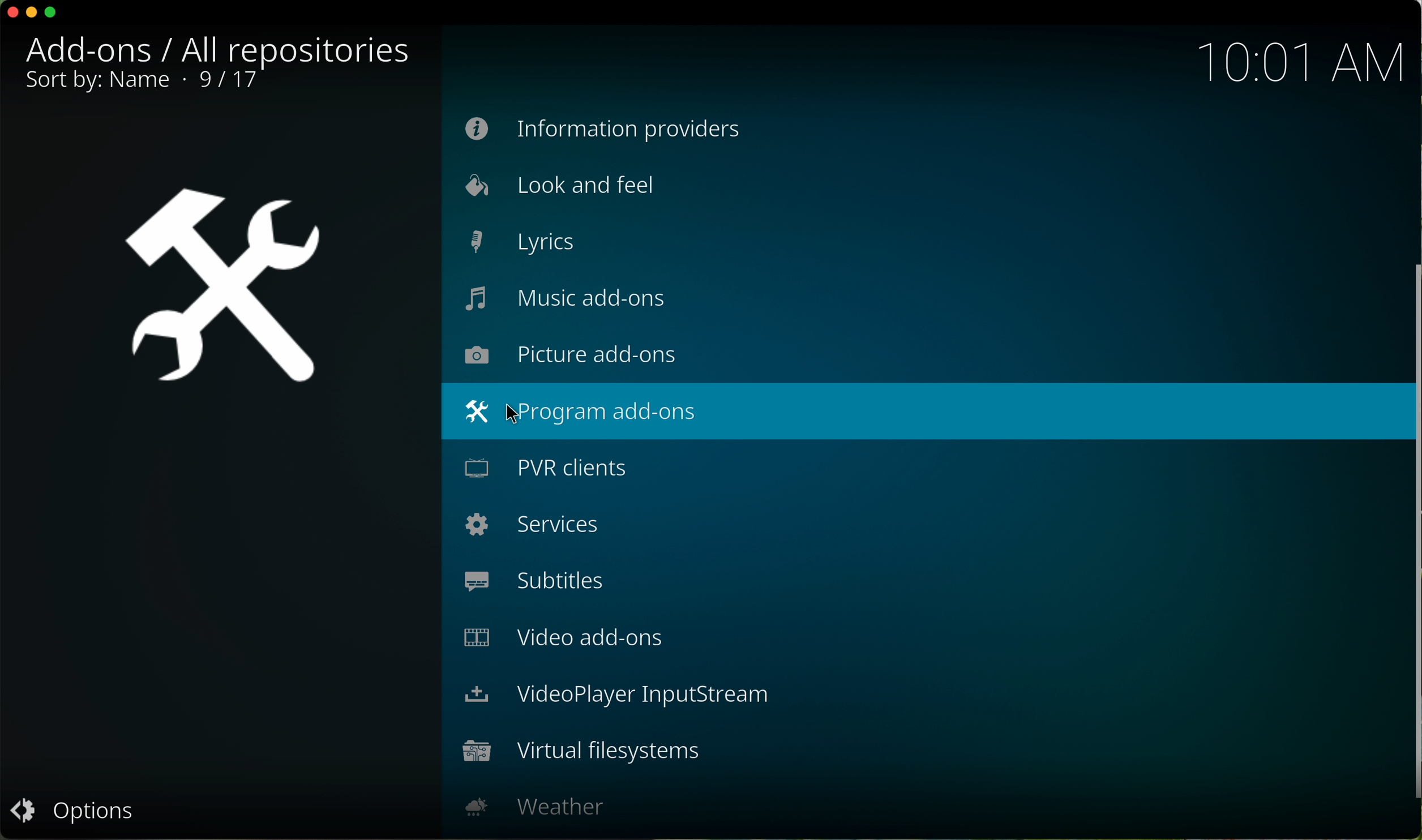 The image size is (1422, 840). Describe the element at coordinates (541, 579) in the screenshot. I see `subtitles` at that location.